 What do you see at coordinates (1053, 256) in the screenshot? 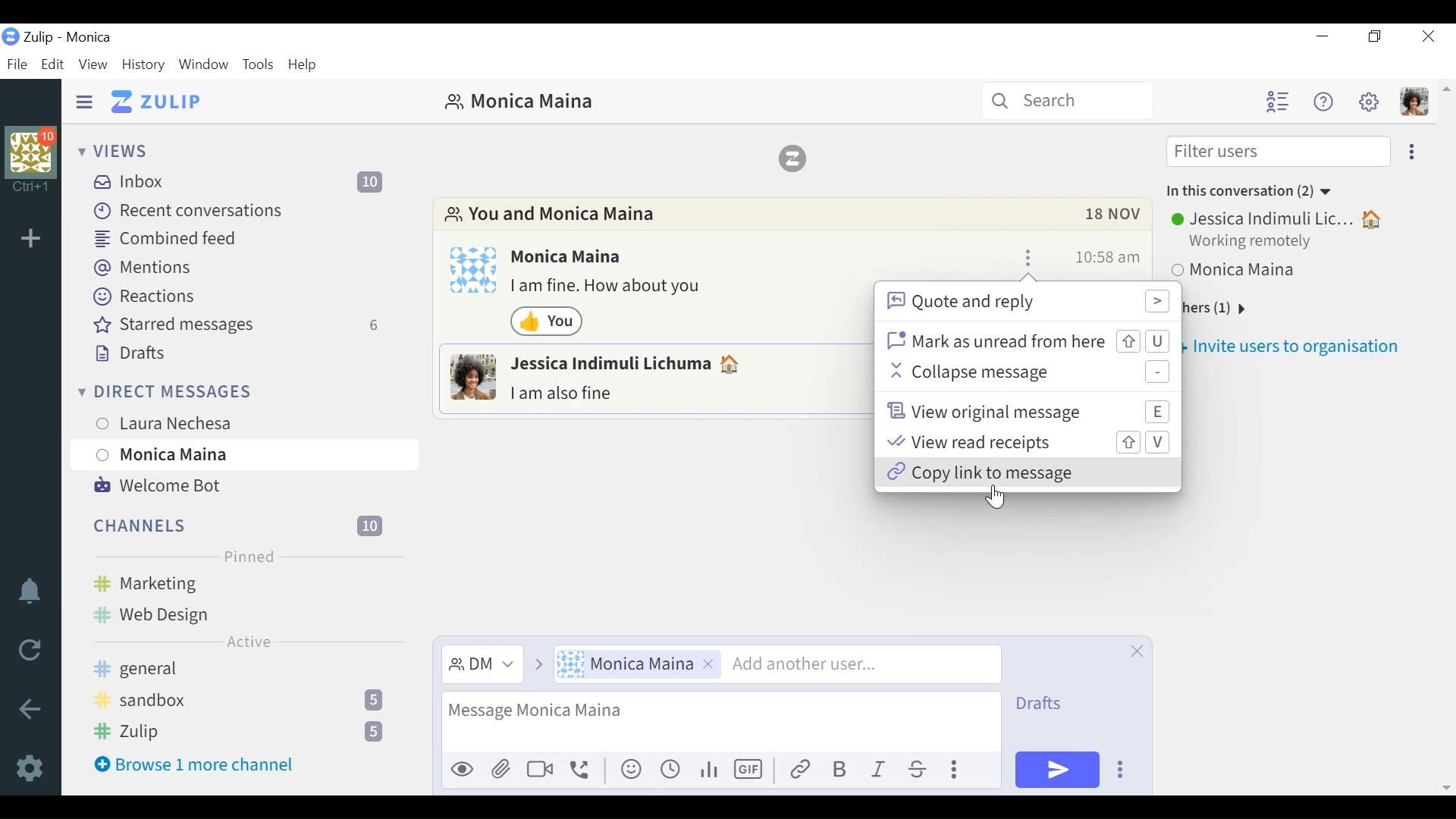
I see `Toggle favorites` at bounding box center [1053, 256].